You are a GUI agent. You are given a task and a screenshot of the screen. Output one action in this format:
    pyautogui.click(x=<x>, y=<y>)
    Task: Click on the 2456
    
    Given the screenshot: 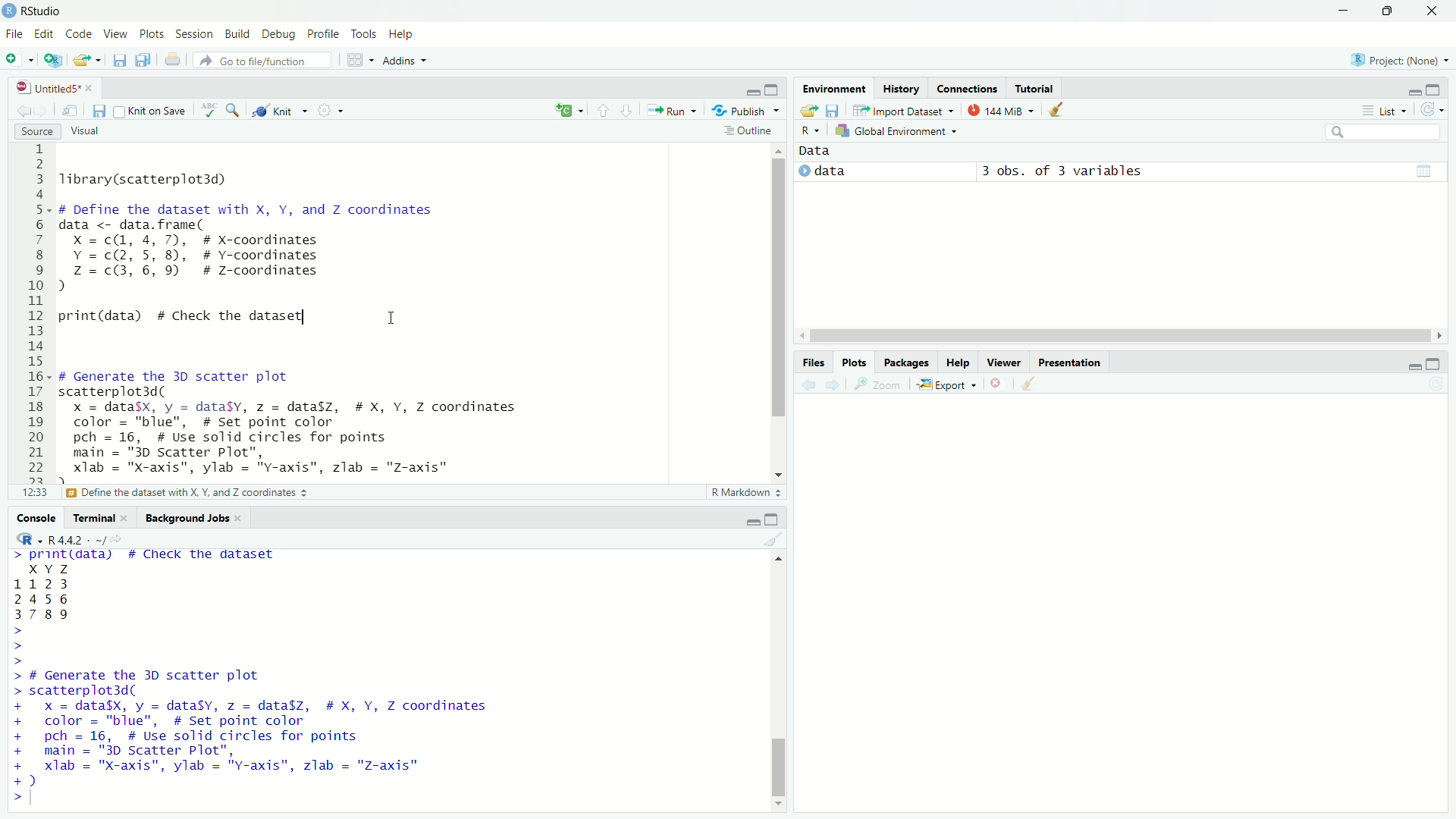 What is the action you would take?
    pyautogui.click(x=42, y=598)
    